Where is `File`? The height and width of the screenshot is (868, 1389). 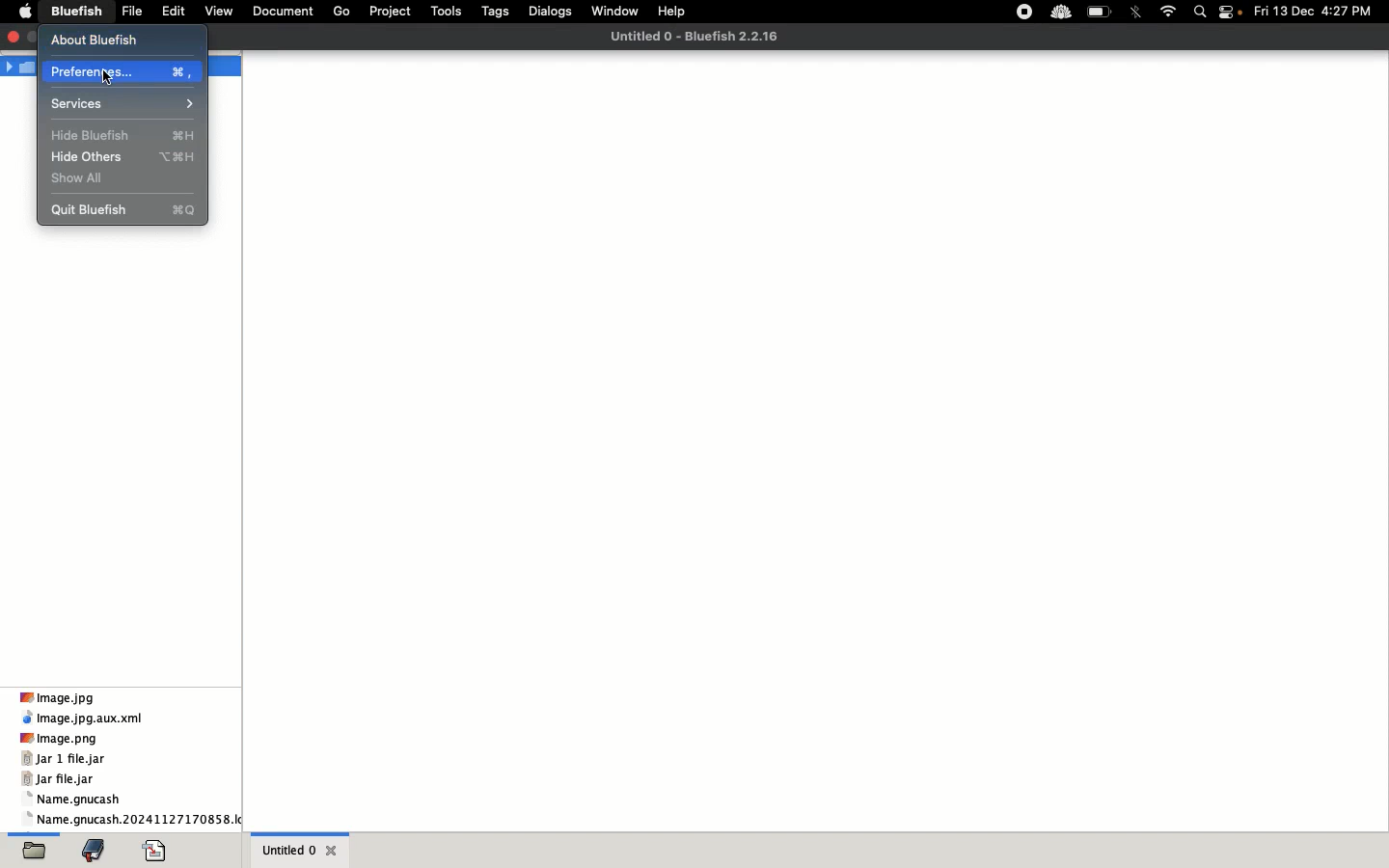
File is located at coordinates (38, 848).